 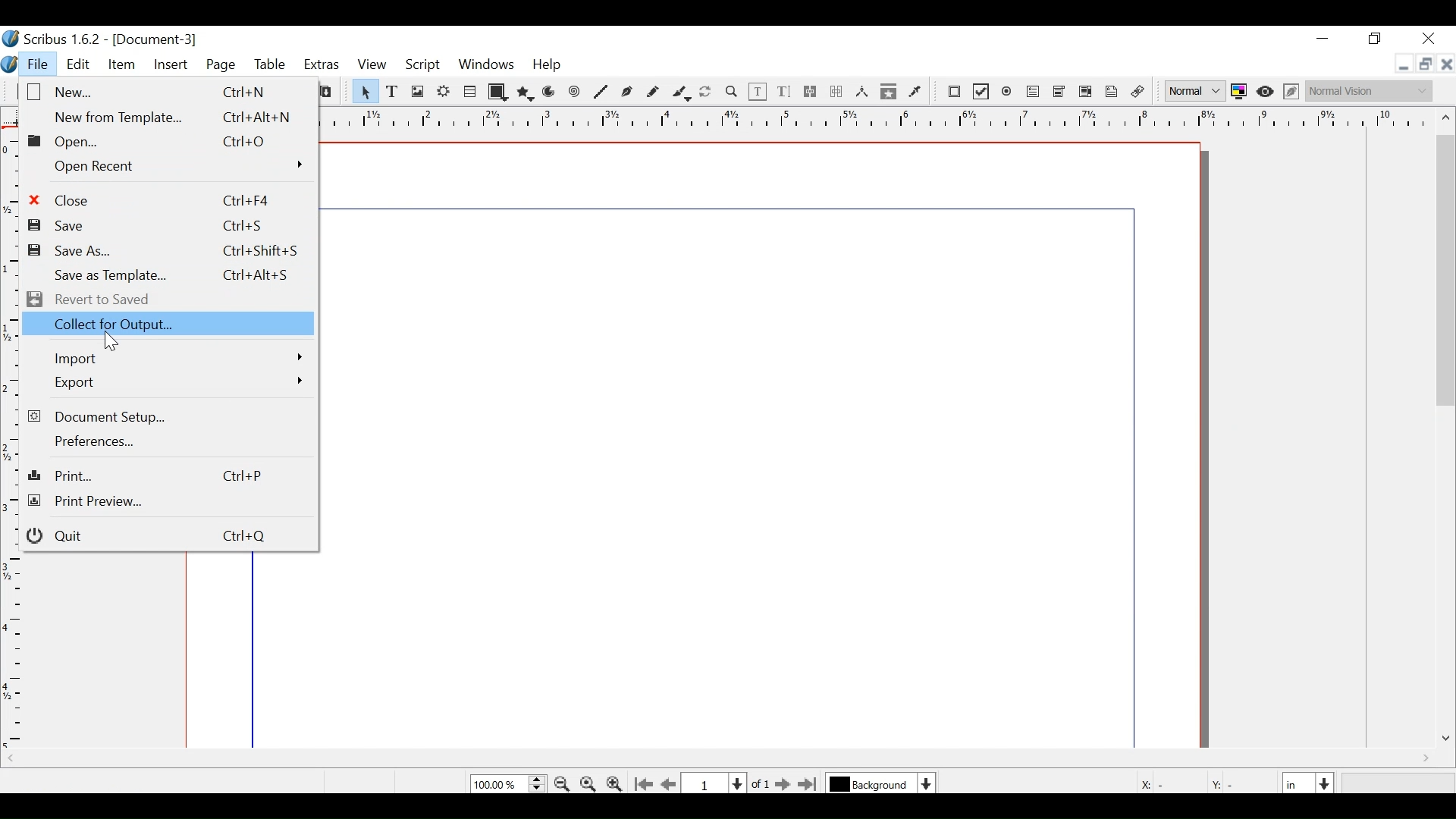 I want to click on Select Image Preview, so click(x=1195, y=91).